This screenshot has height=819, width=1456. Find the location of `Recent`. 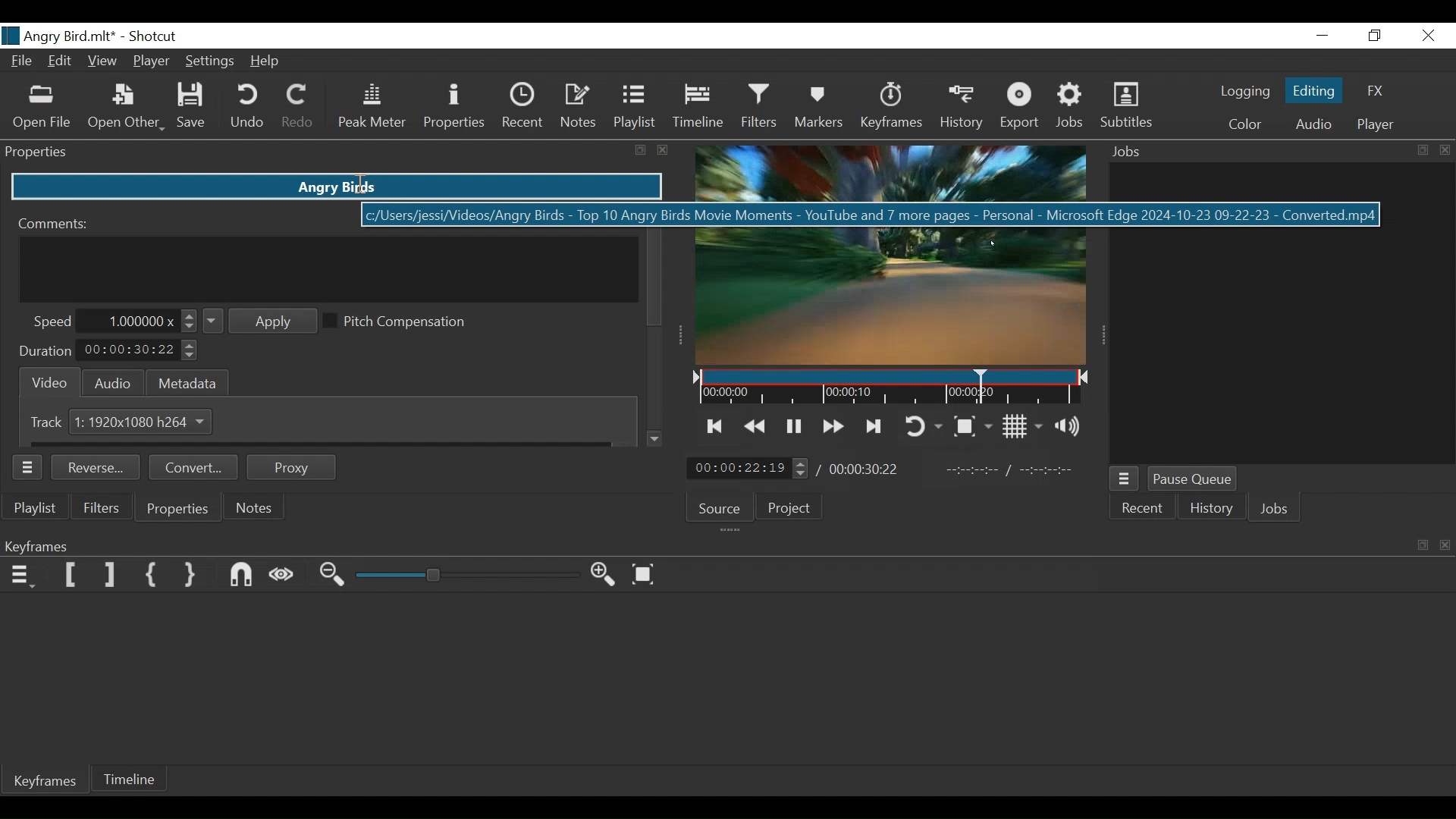

Recent is located at coordinates (1145, 509).